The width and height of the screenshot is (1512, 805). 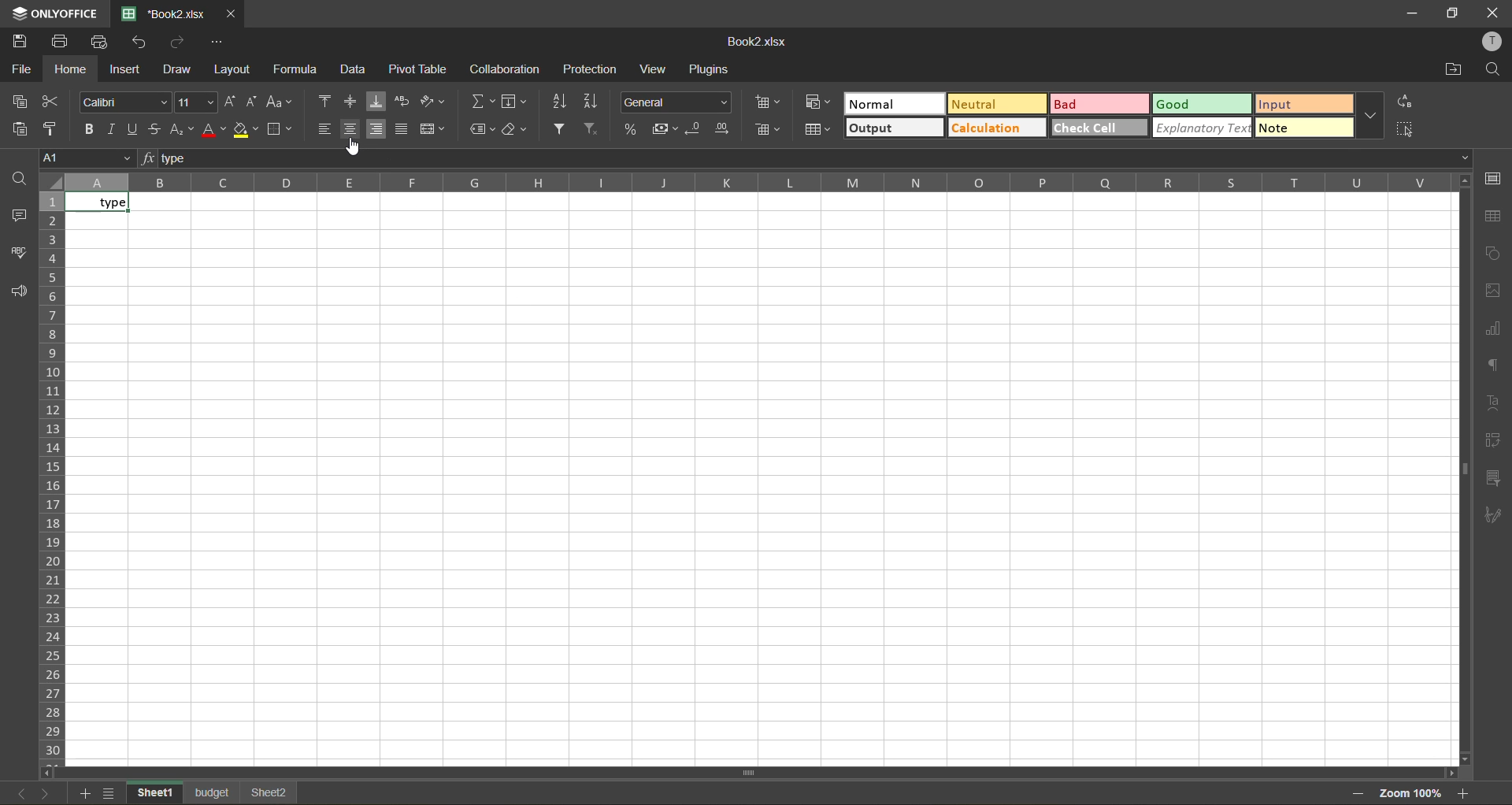 What do you see at coordinates (1104, 106) in the screenshot?
I see `bad` at bounding box center [1104, 106].